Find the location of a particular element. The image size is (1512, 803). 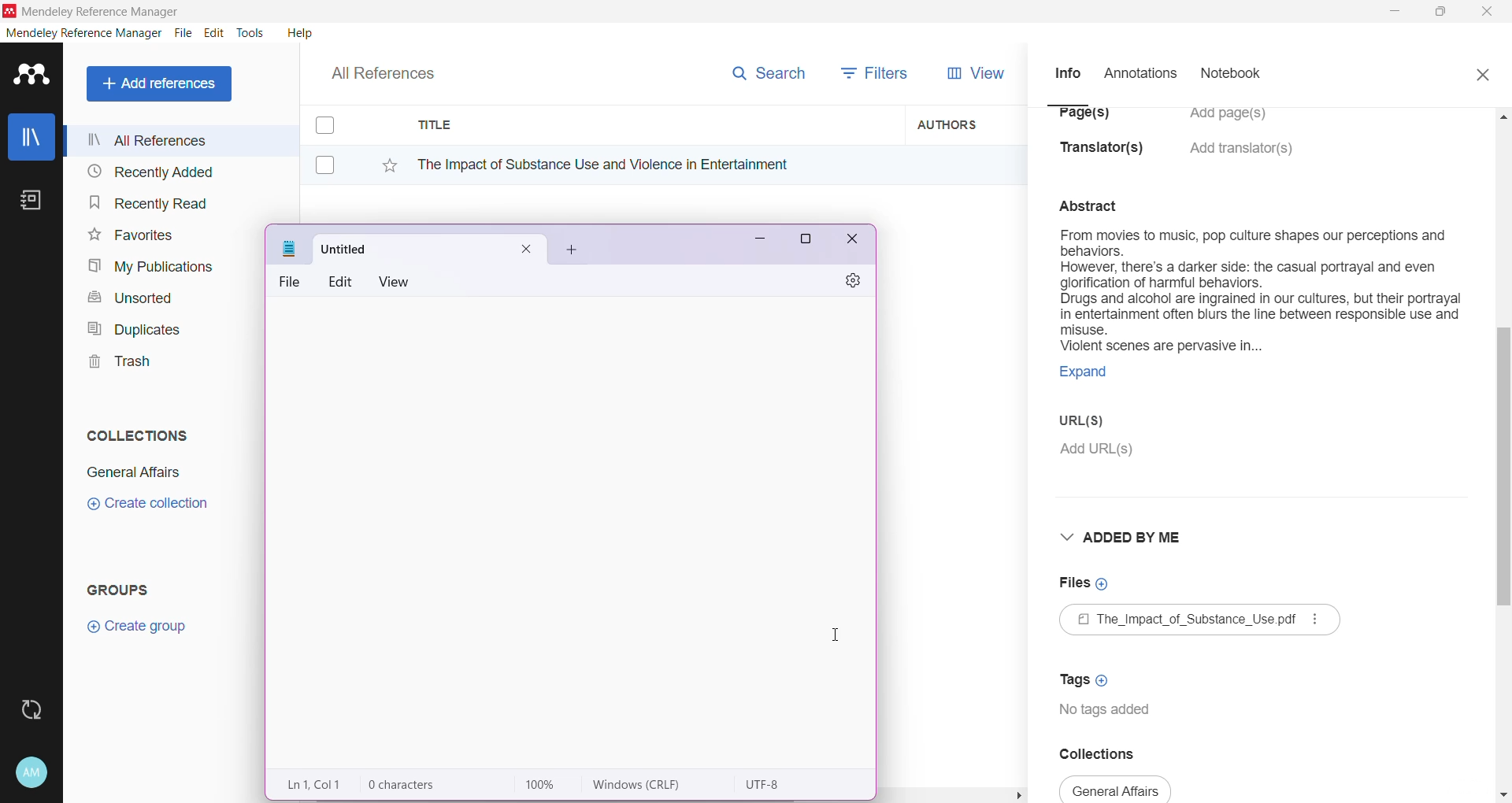

Add New Tab is located at coordinates (573, 250).